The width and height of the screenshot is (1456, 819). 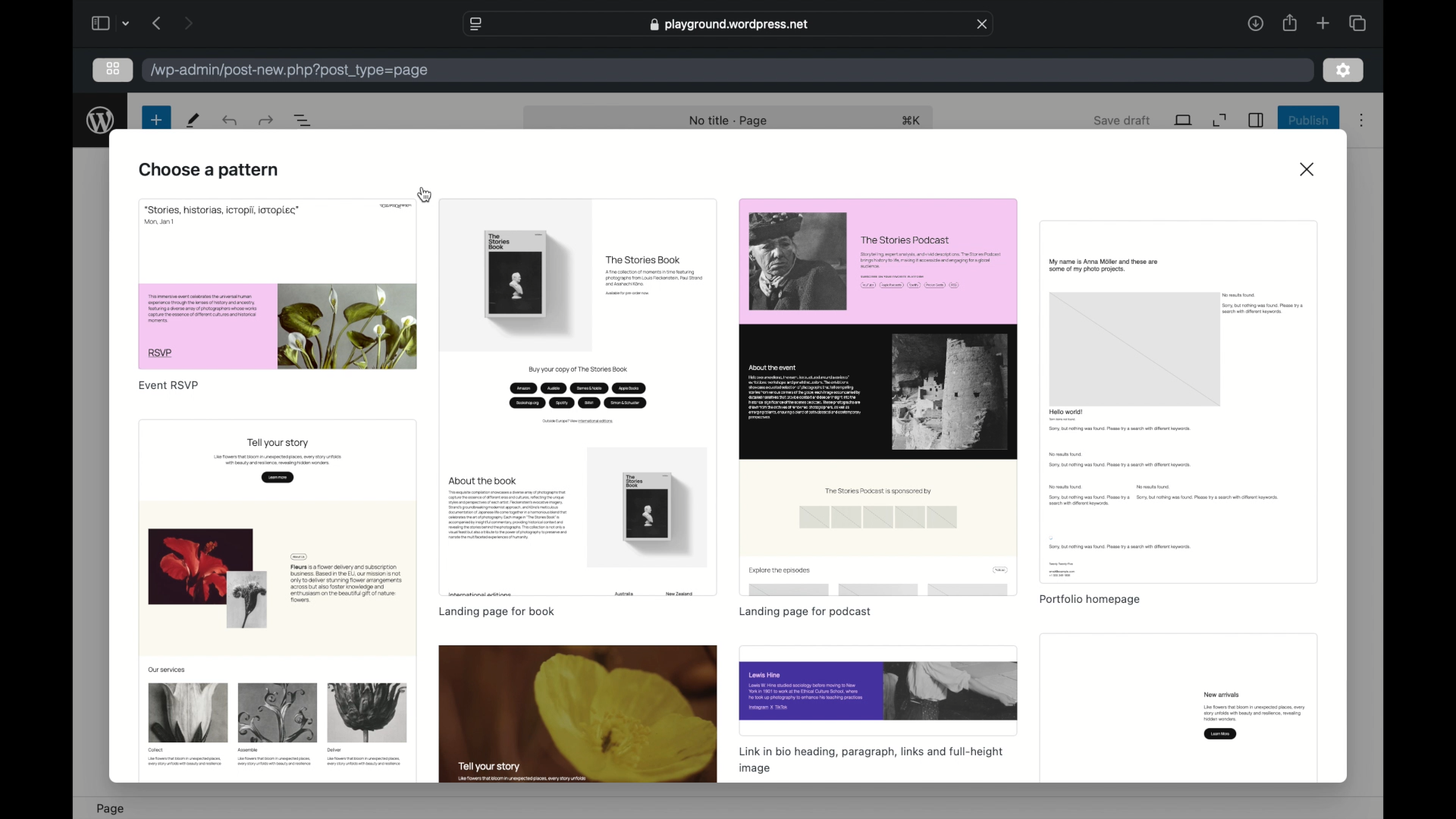 What do you see at coordinates (1291, 23) in the screenshot?
I see `share` at bounding box center [1291, 23].